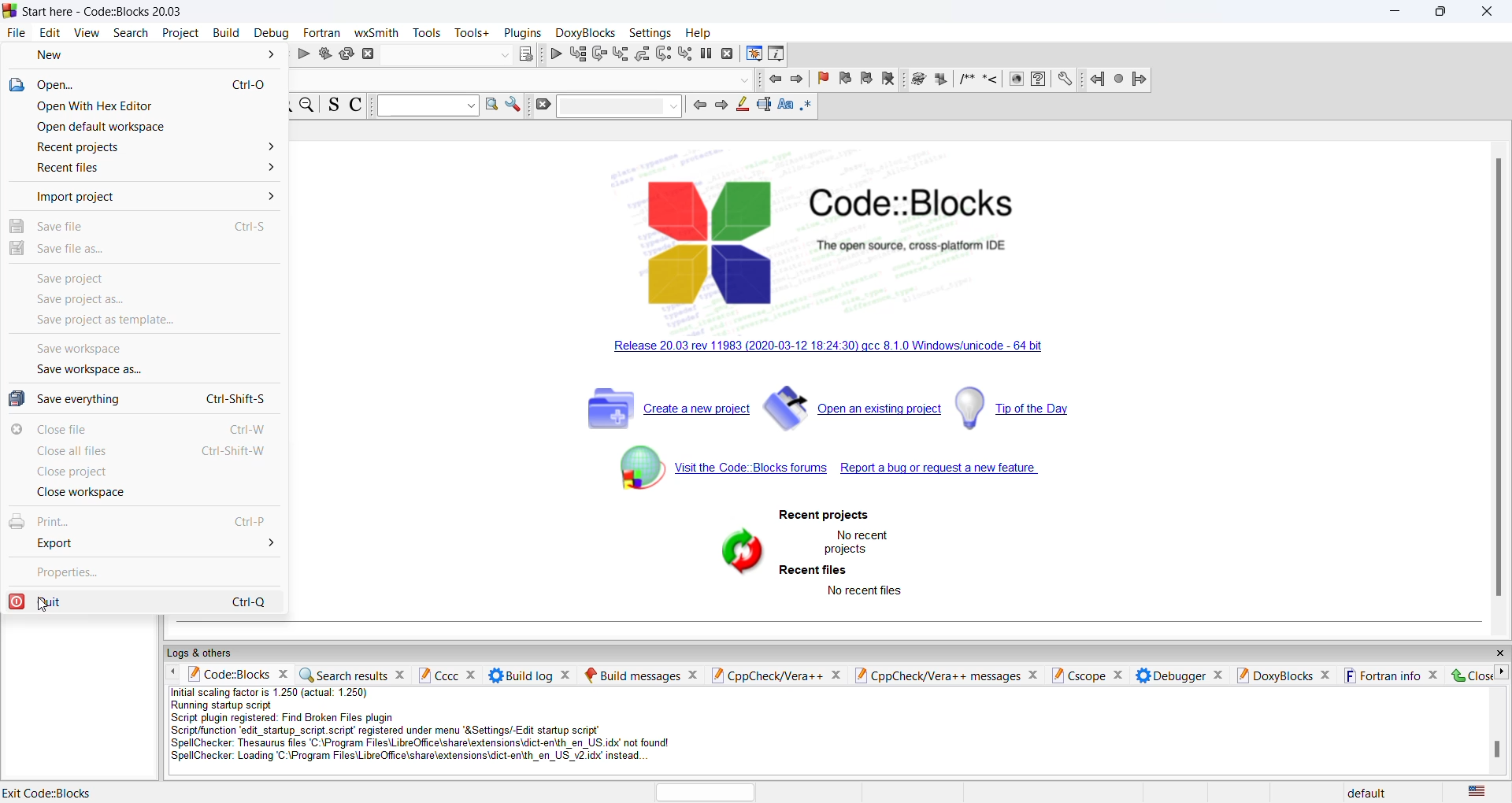  Describe the element at coordinates (942, 470) in the screenshot. I see `report bug` at that location.